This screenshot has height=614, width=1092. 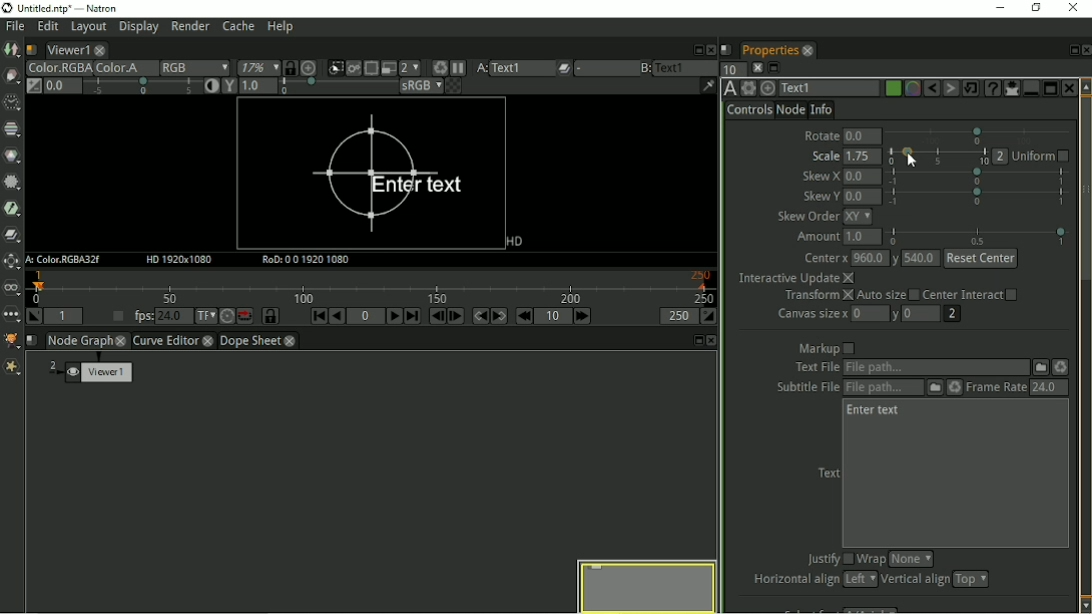 What do you see at coordinates (896, 559) in the screenshot?
I see `Wrap` at bounding box center [896, 559].